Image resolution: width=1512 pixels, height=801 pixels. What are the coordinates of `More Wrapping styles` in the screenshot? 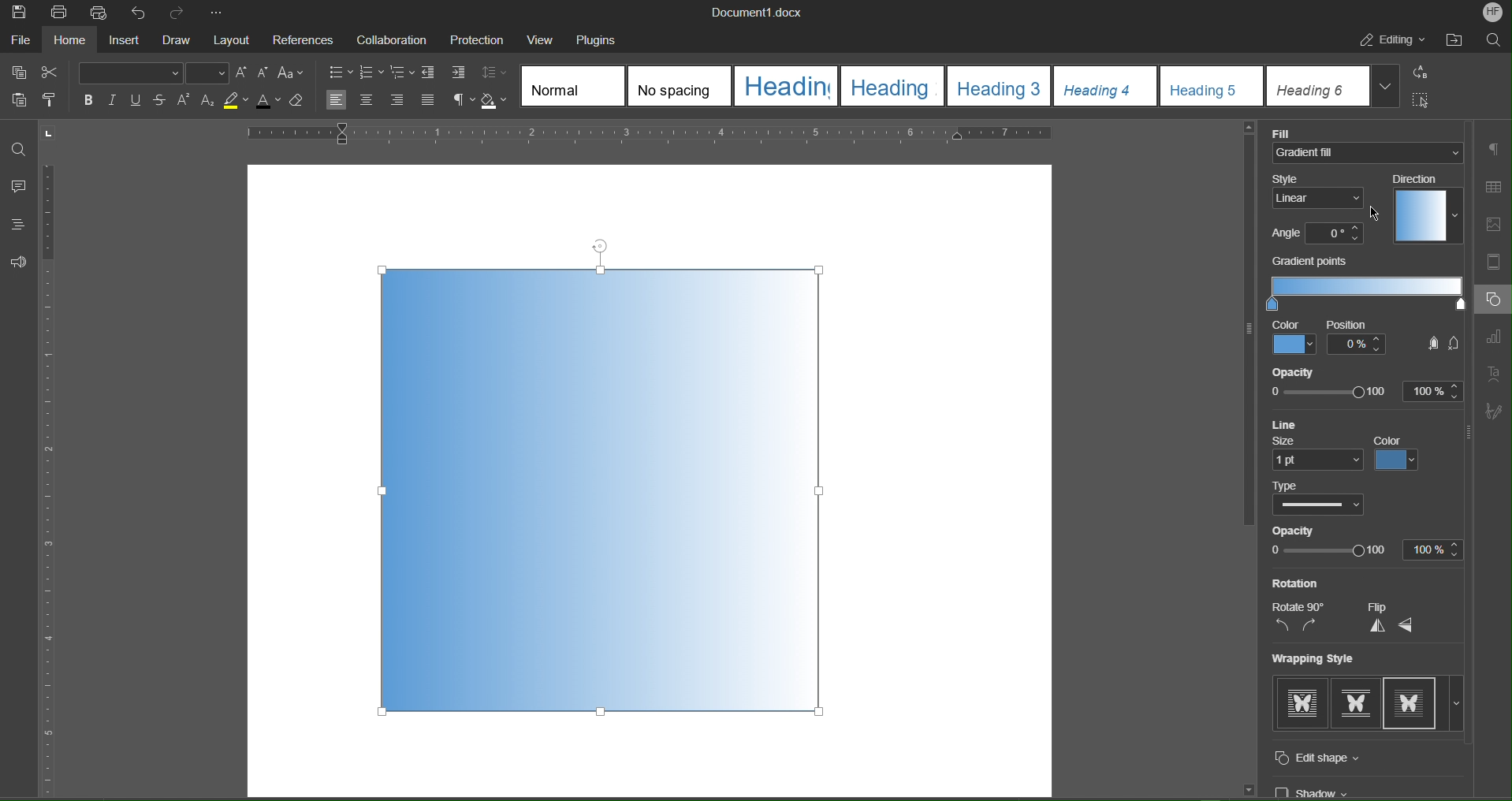 It's located at (1458, 706).